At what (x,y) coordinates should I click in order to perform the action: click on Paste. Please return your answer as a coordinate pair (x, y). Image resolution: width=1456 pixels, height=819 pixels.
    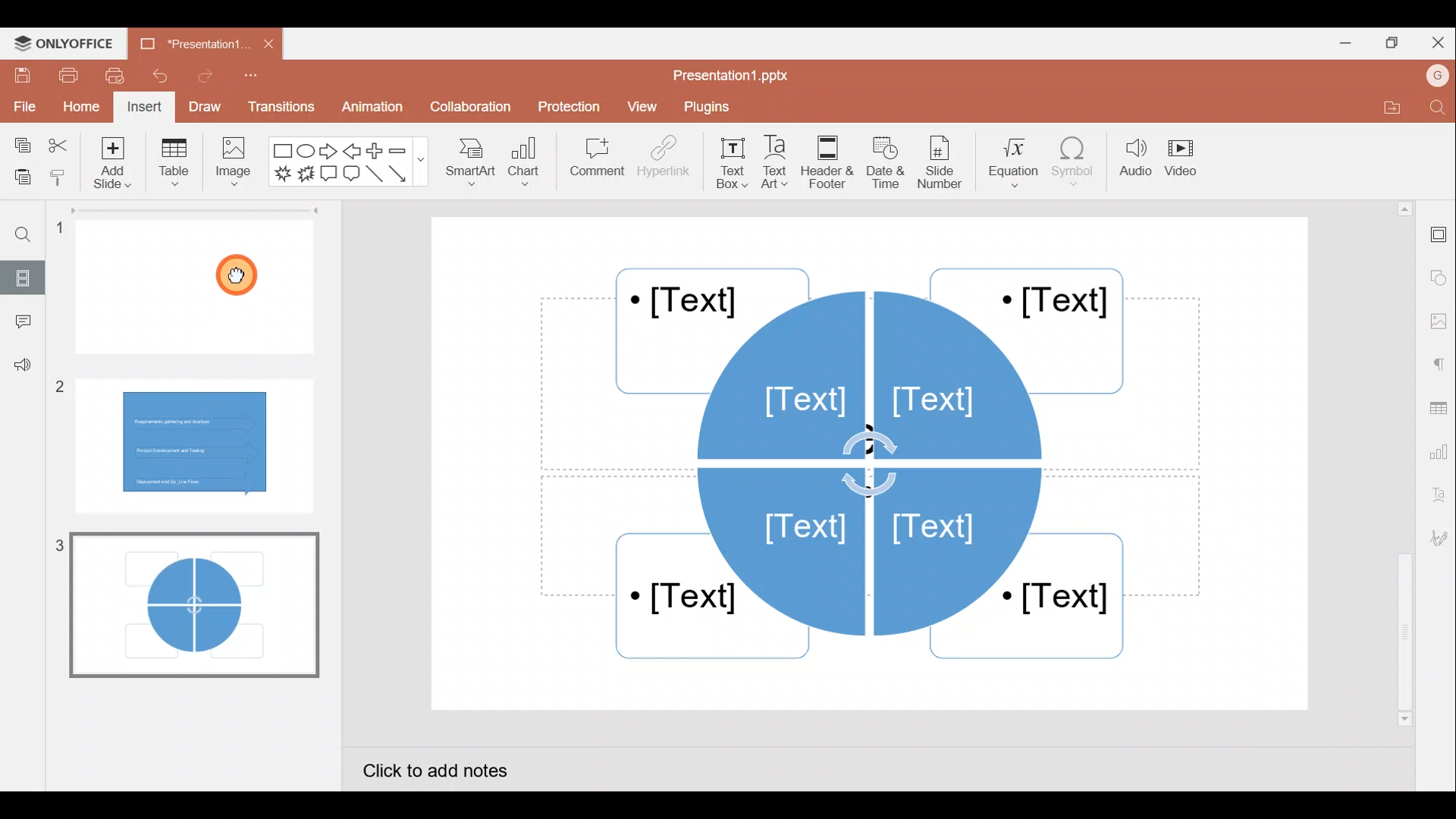
    Looking at the image, I should click on (20, 174).